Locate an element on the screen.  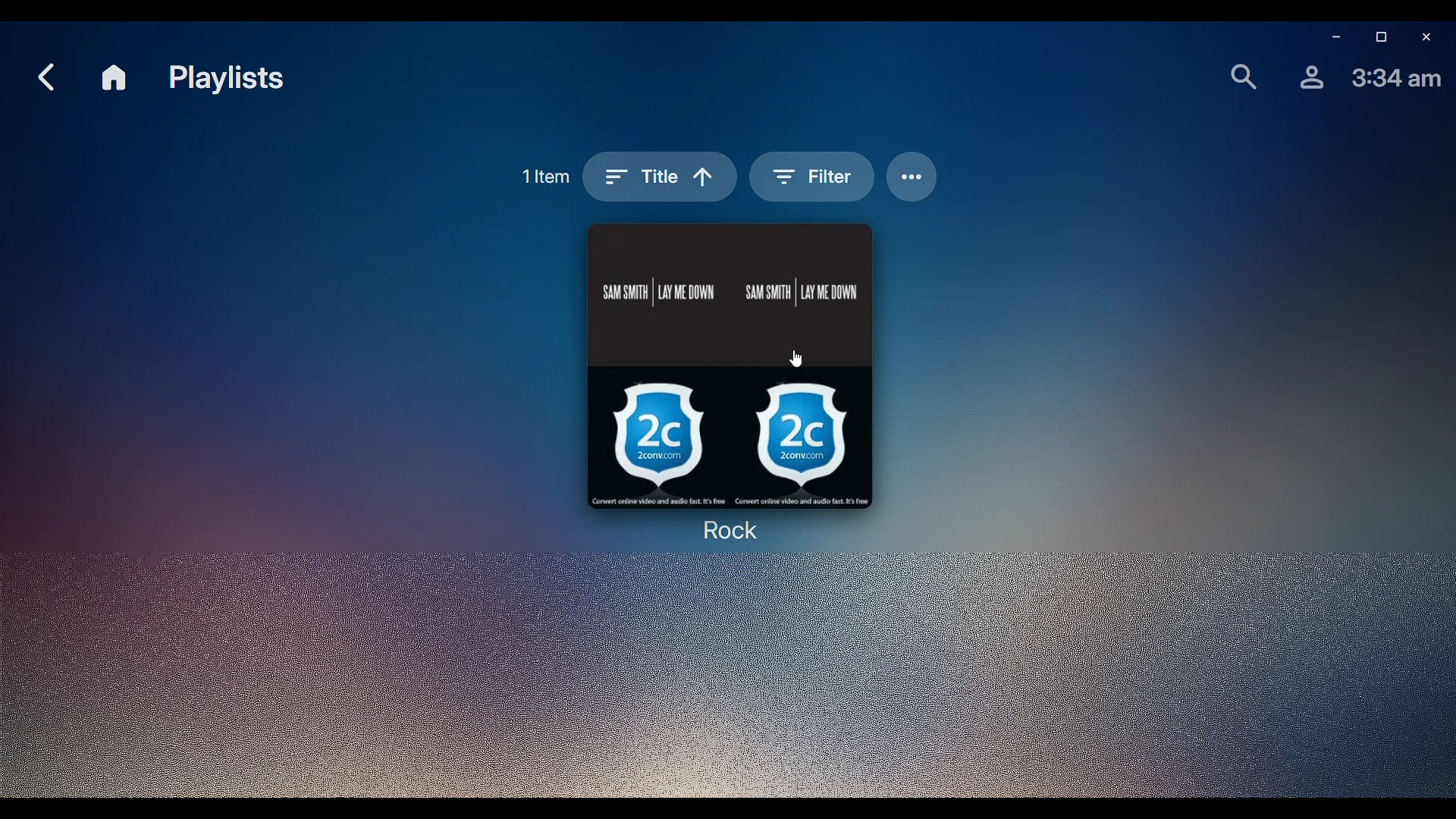
Playlists is located at coordinates (231, 81).